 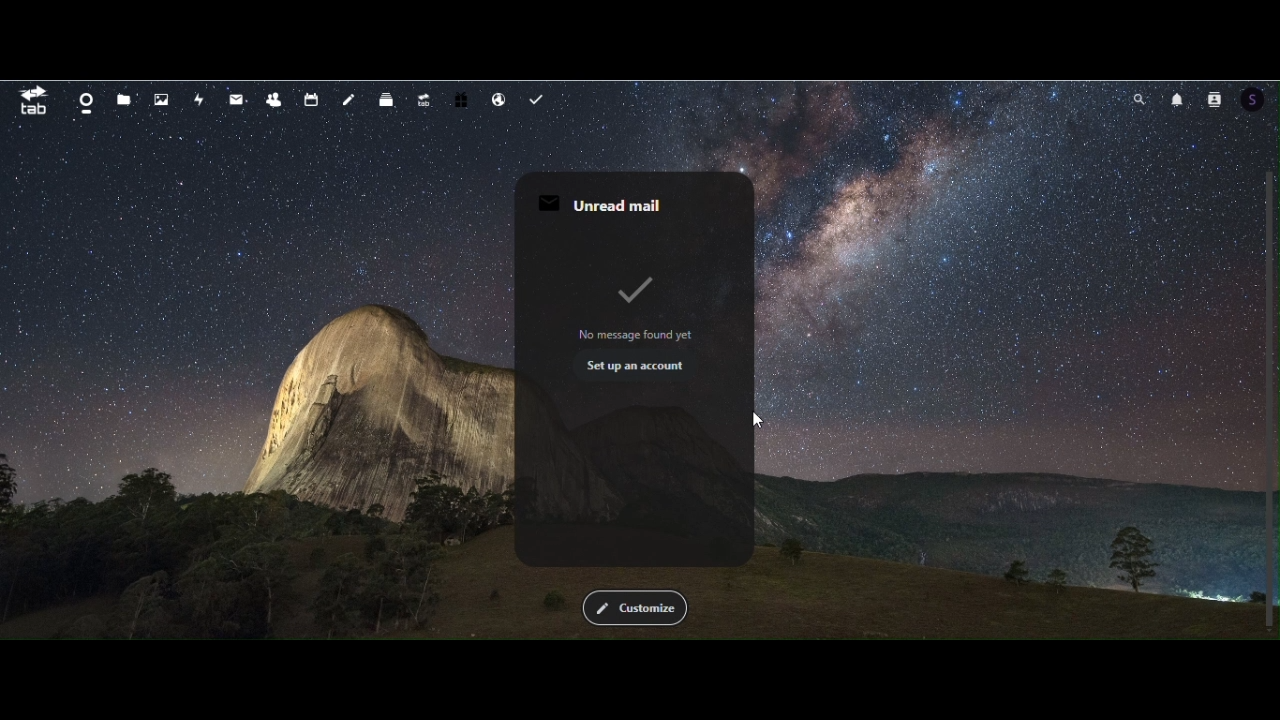 What do you see at coordinates (1138, 97) in the screenshot?
I see `search` at bounding box center [1138, 97].